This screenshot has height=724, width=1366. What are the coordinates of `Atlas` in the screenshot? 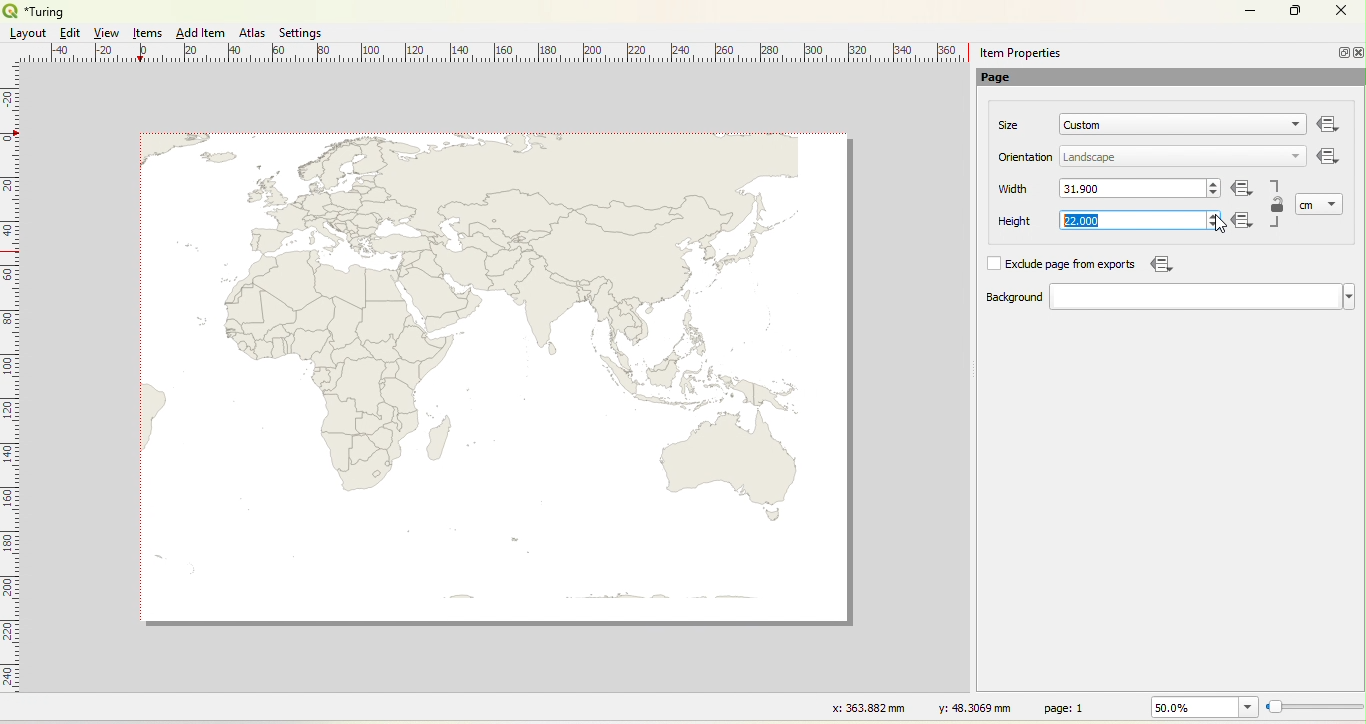 It's located at (252, 32).